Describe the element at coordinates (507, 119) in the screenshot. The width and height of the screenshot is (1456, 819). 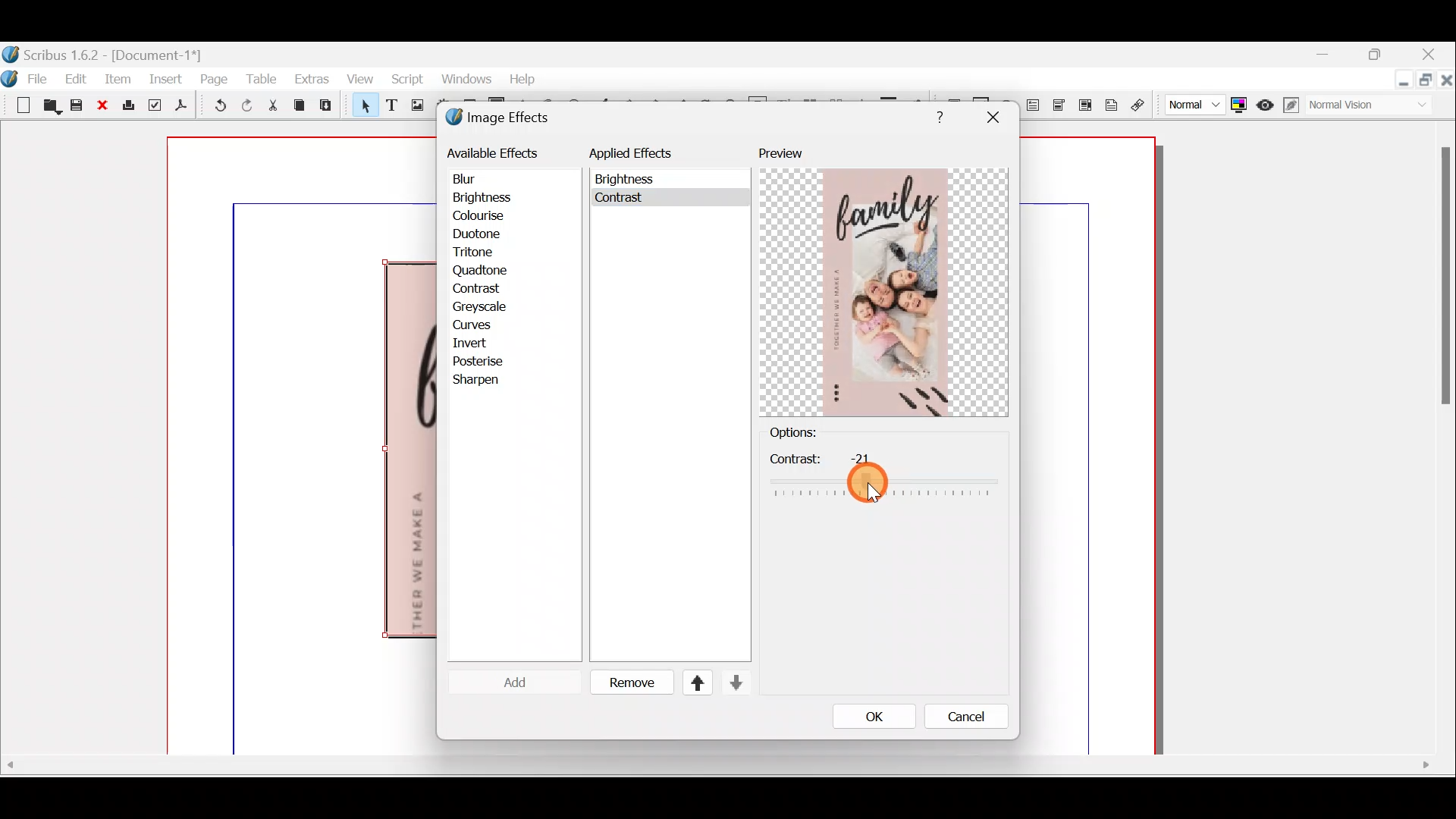
I see `Image effects` at that location.